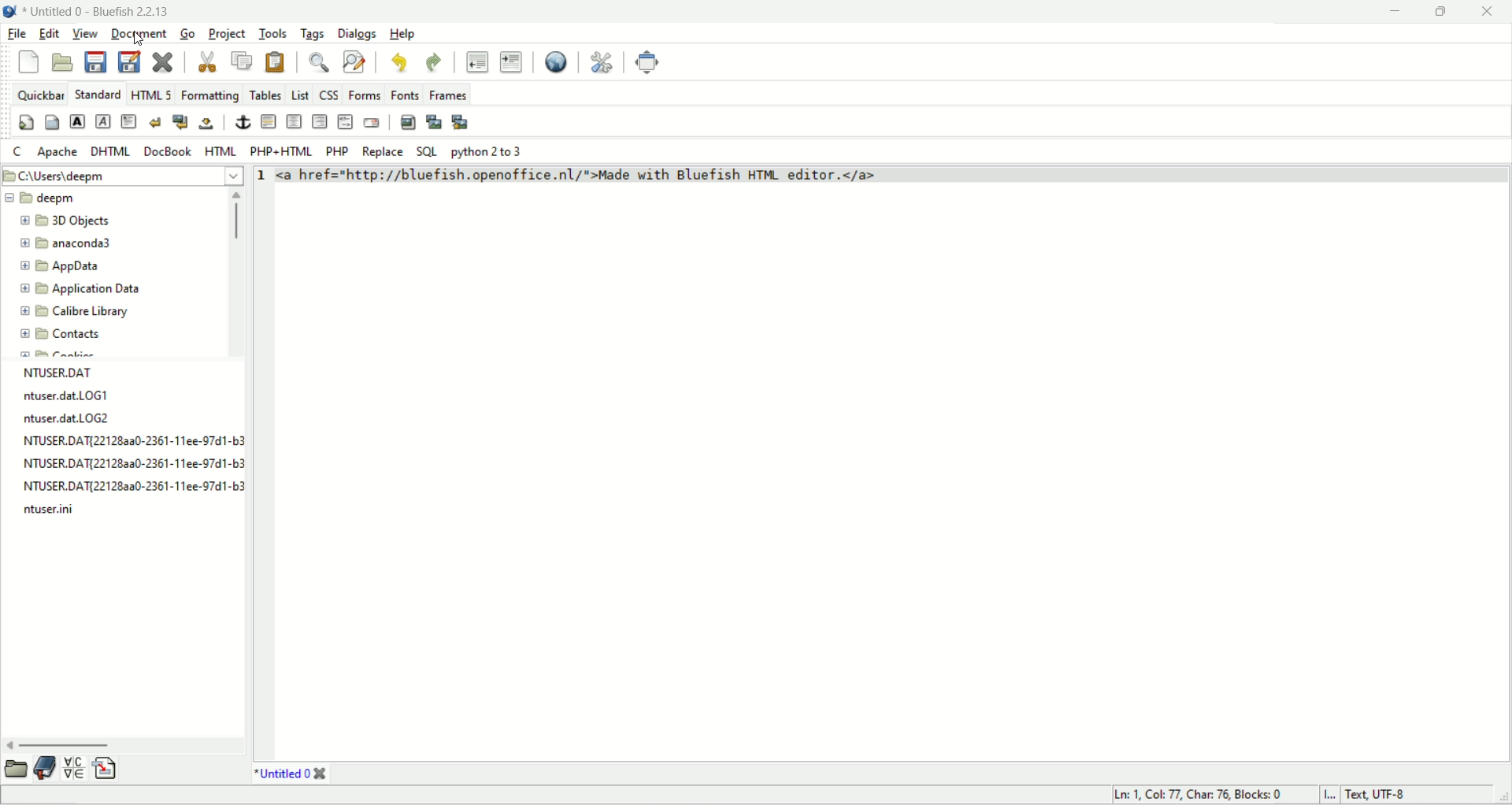 The height and width of the screenshot is (805, 1512). I want to click on redo, so click(436, 63).